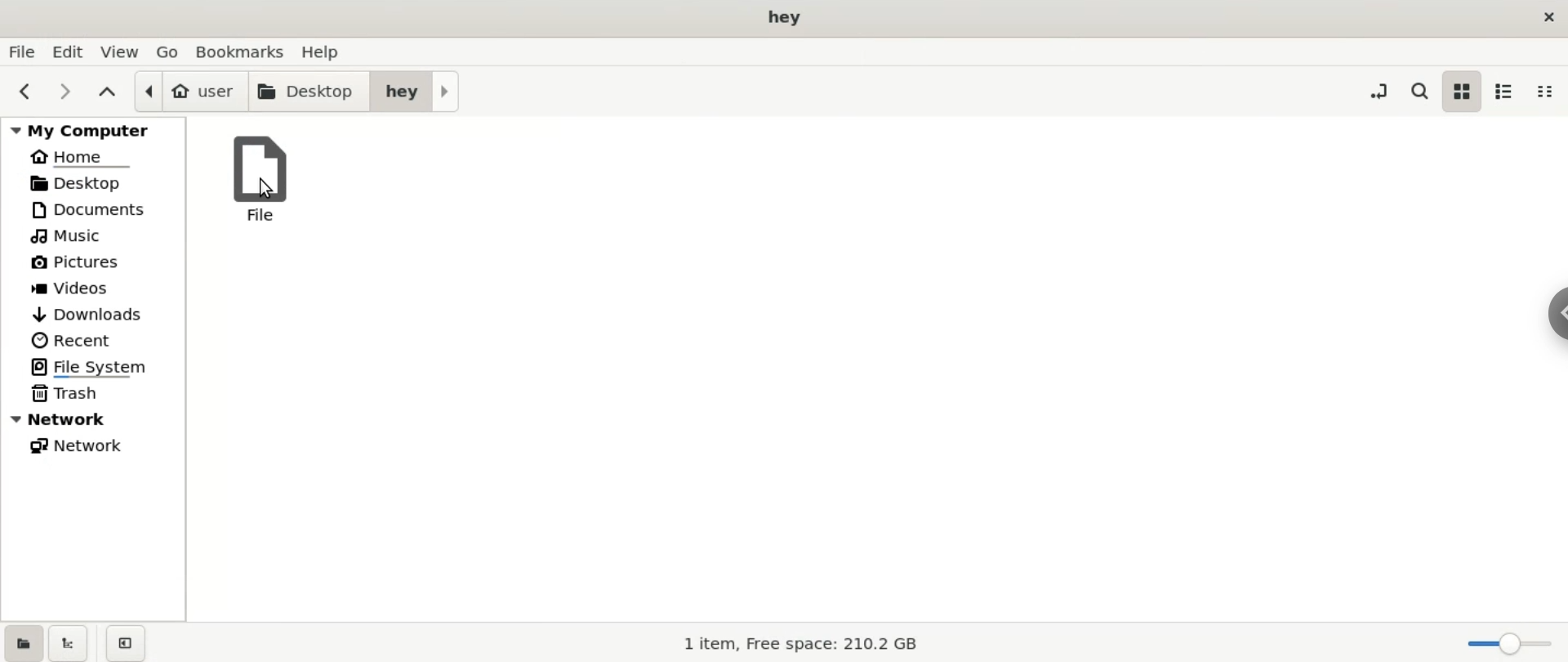 This screenshot has height=662, width=1568. What do you see at coordinates (247, 51) in the screenshot?
I see `bookmarks` at bounding box center [247, 51].